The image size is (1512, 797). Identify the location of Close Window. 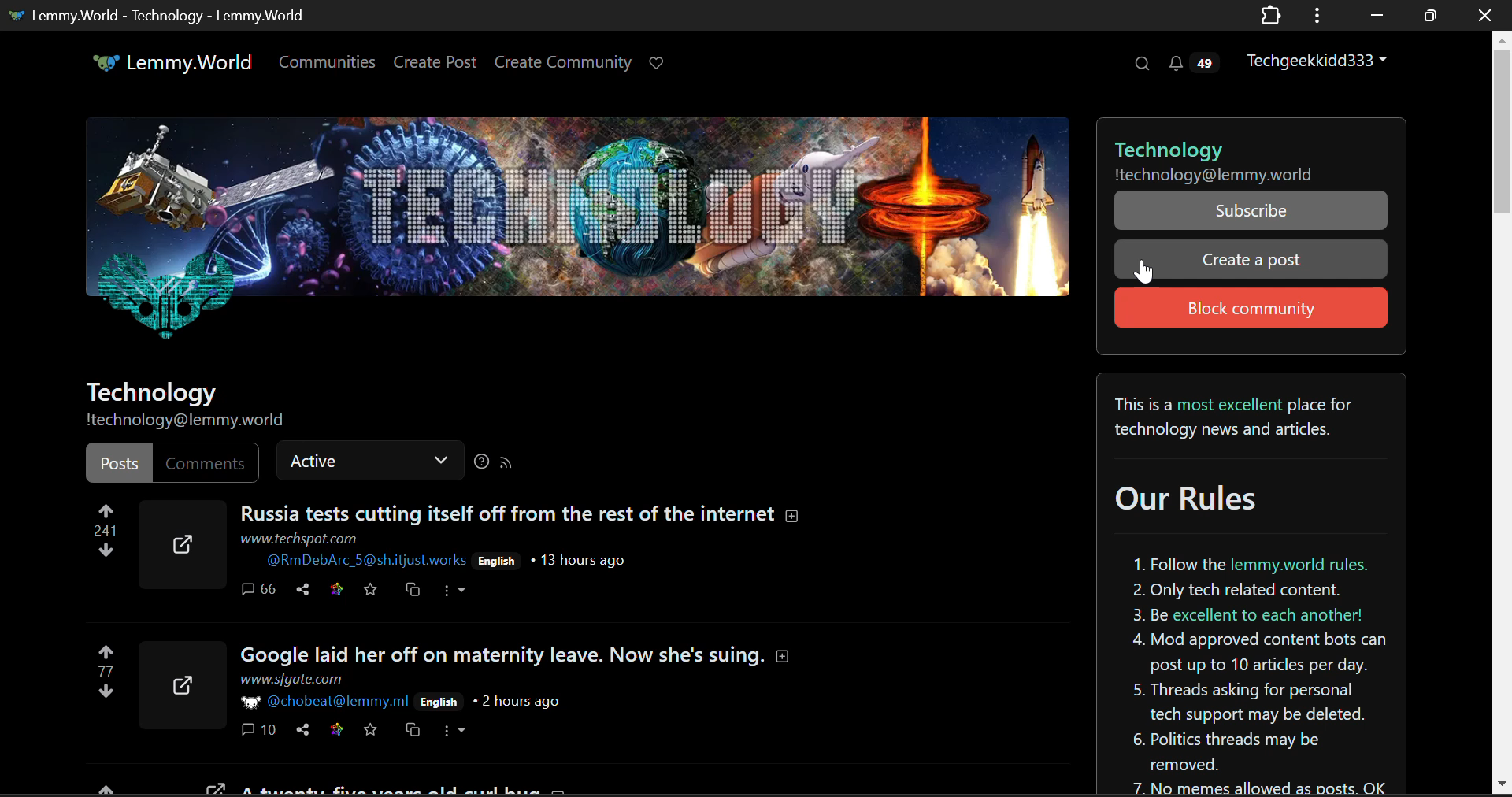
(1487, 14).